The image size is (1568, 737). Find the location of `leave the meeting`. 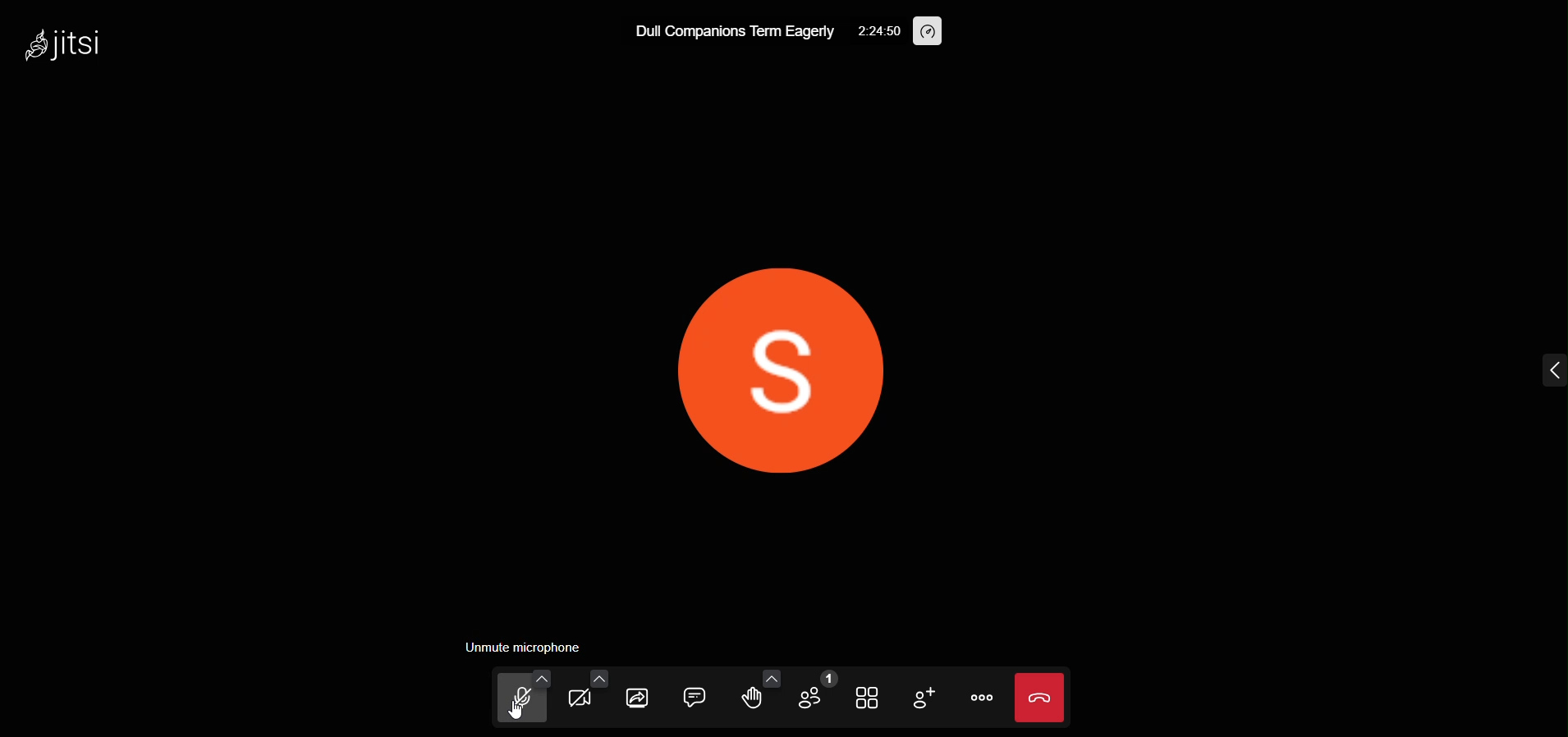

leave the meeting is located at coordinates (1041, 697).